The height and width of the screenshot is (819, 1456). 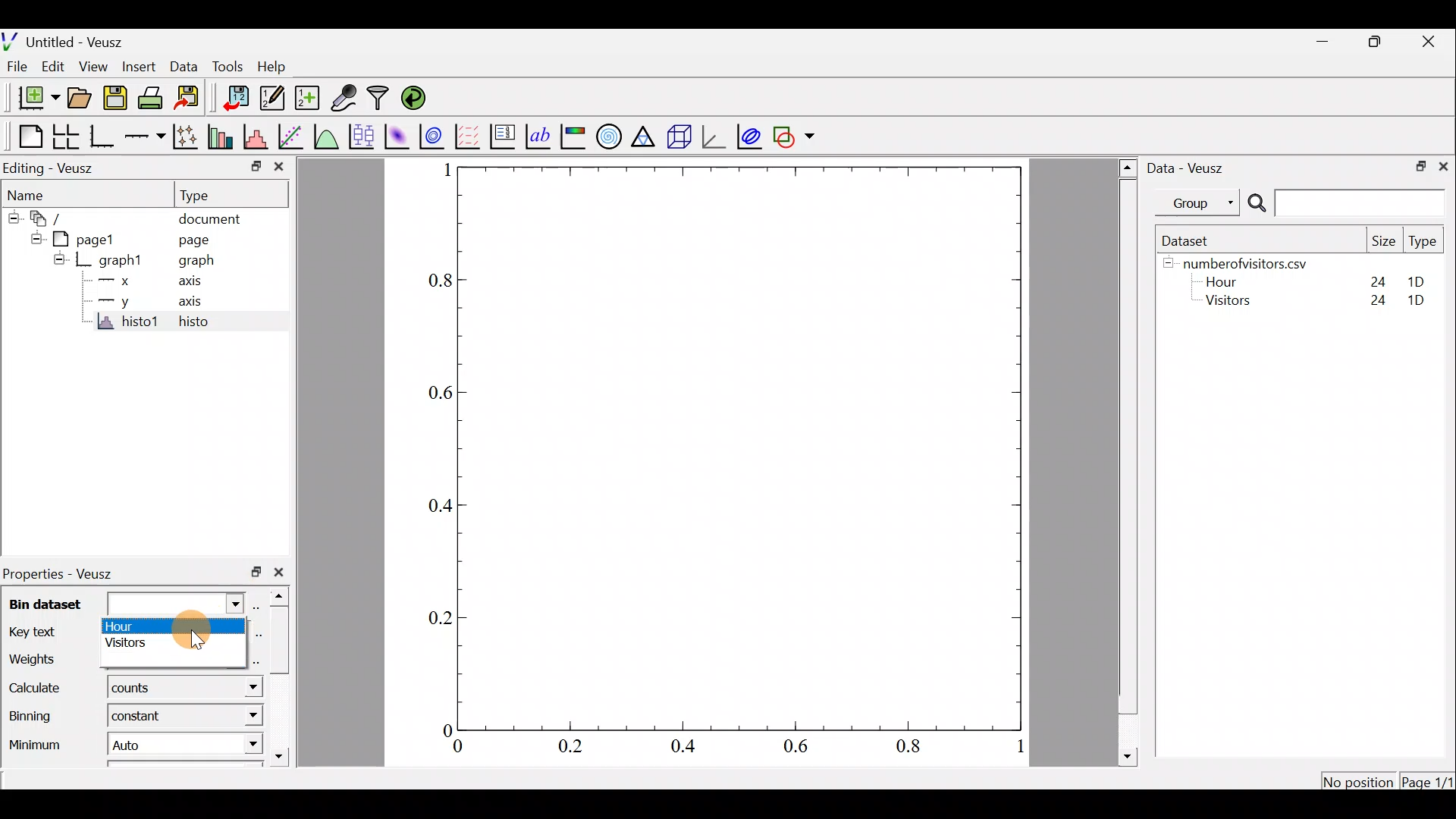 I want to click on Data, so click(x=183, y=65).